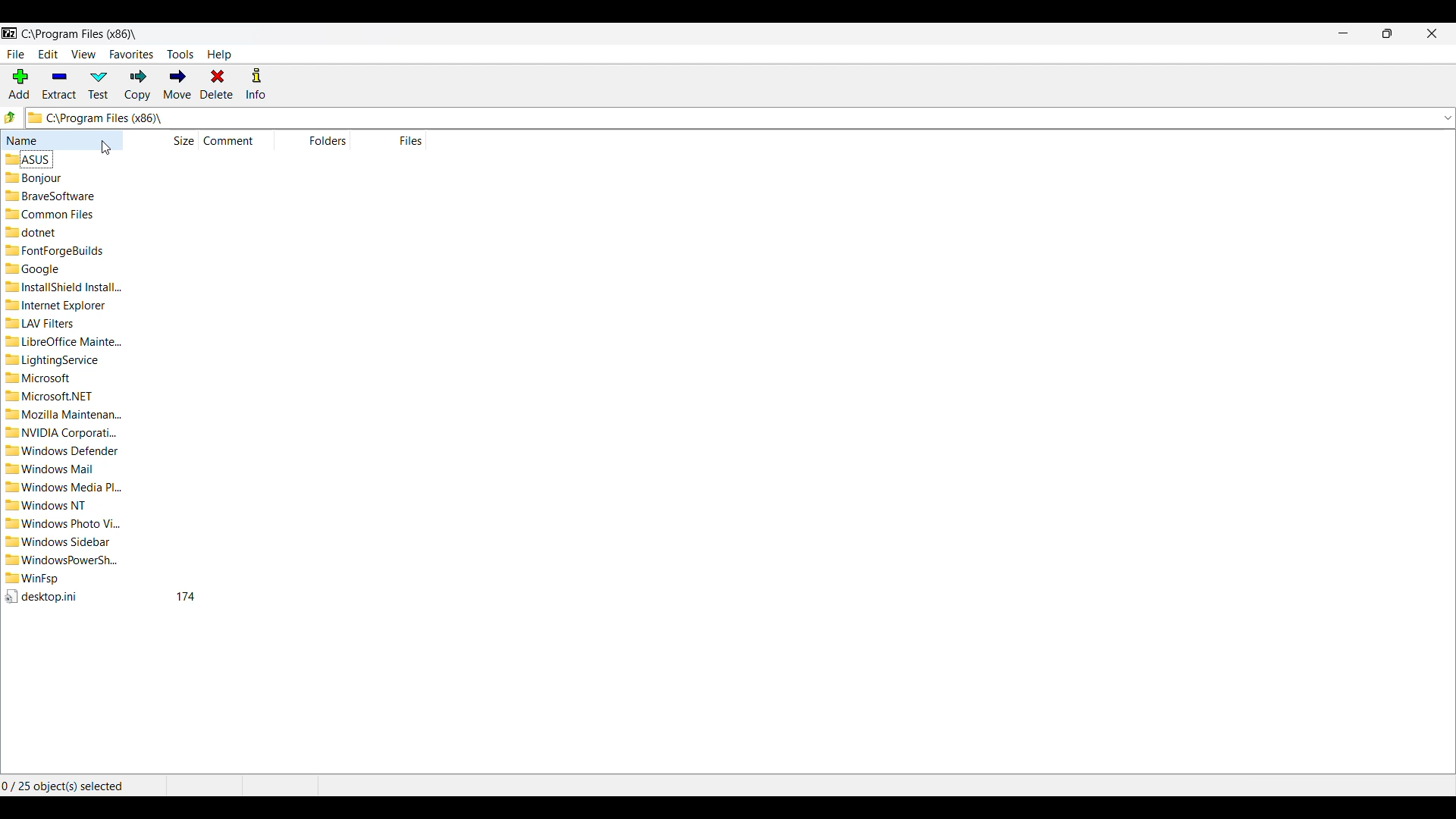 This screenshot has width=1456, height=819. I want to click on WinFsp, so click(33, 579).